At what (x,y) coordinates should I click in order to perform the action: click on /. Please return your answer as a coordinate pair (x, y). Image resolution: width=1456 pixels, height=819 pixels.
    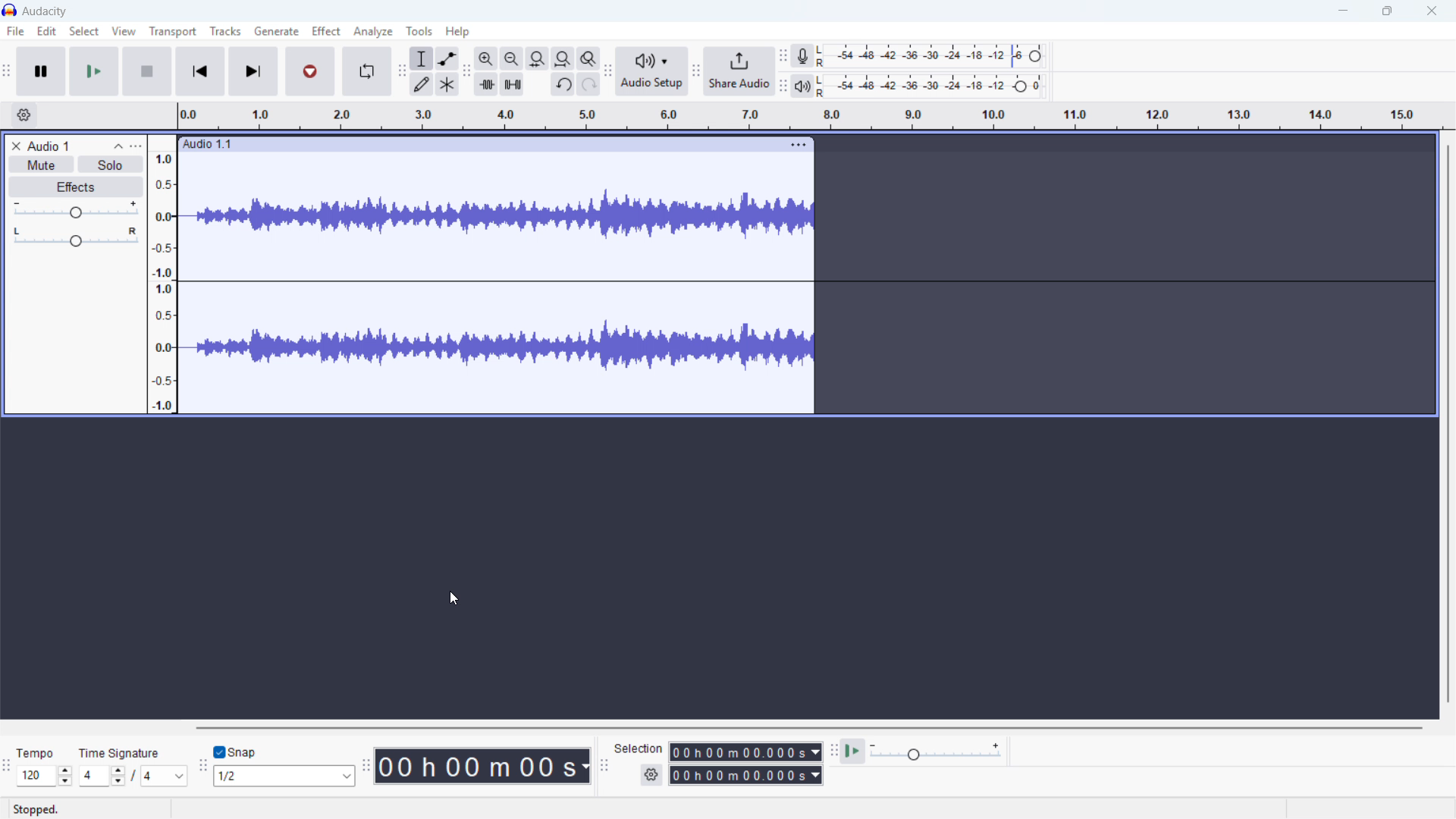
    Looking at the image, I should click on (135, 775).